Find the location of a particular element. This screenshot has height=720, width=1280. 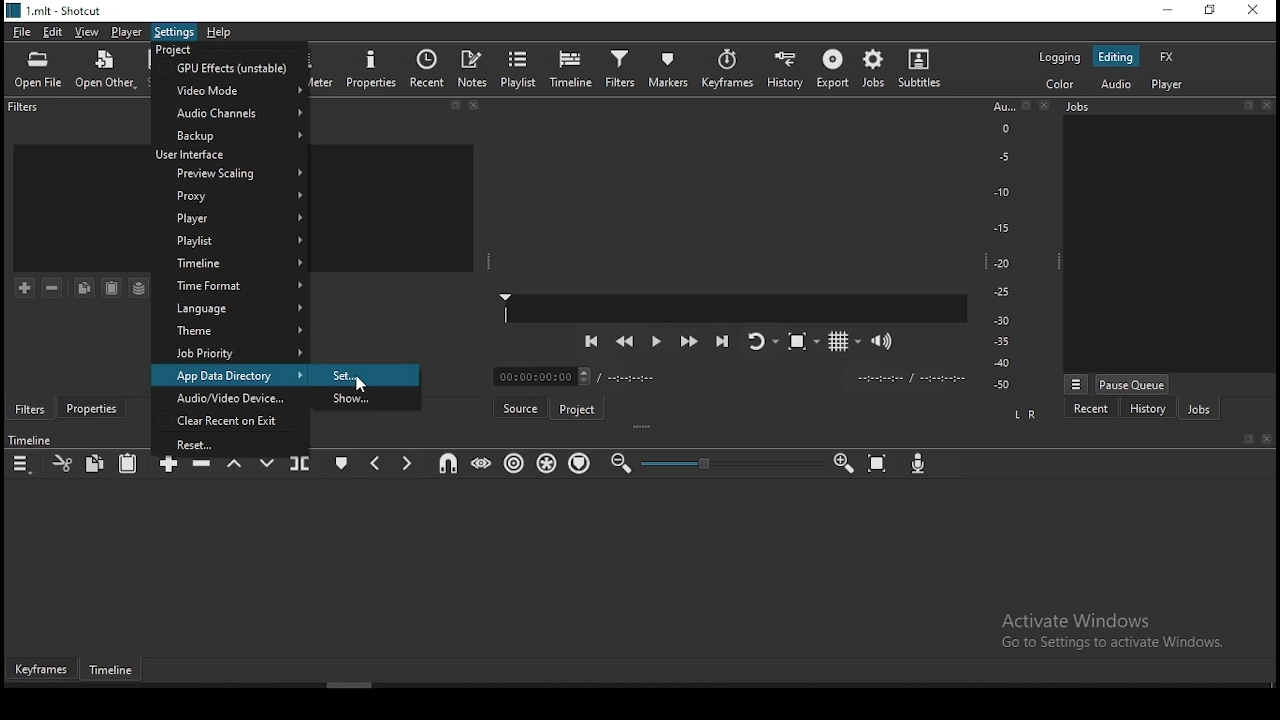

video mode is located at coordinates (230, 93).